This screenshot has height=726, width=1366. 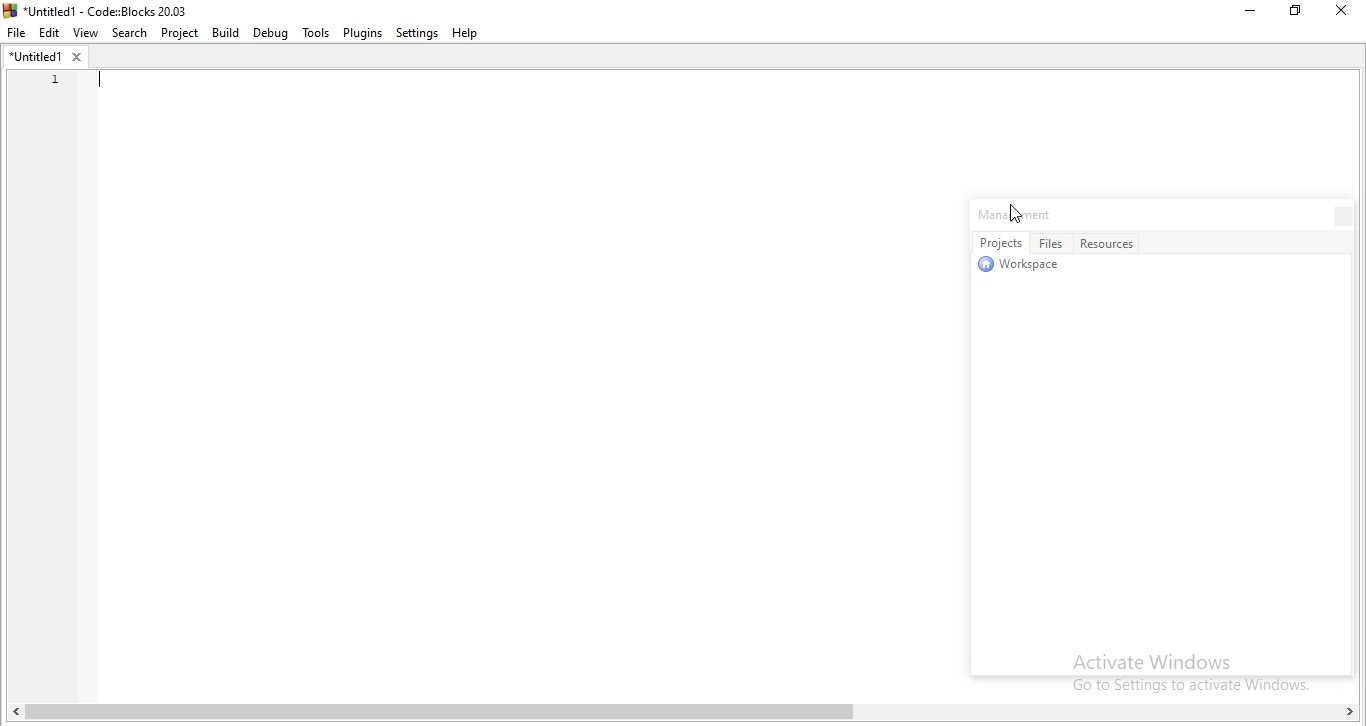 I want to click on Minimise, so click(x=1243, y=14).